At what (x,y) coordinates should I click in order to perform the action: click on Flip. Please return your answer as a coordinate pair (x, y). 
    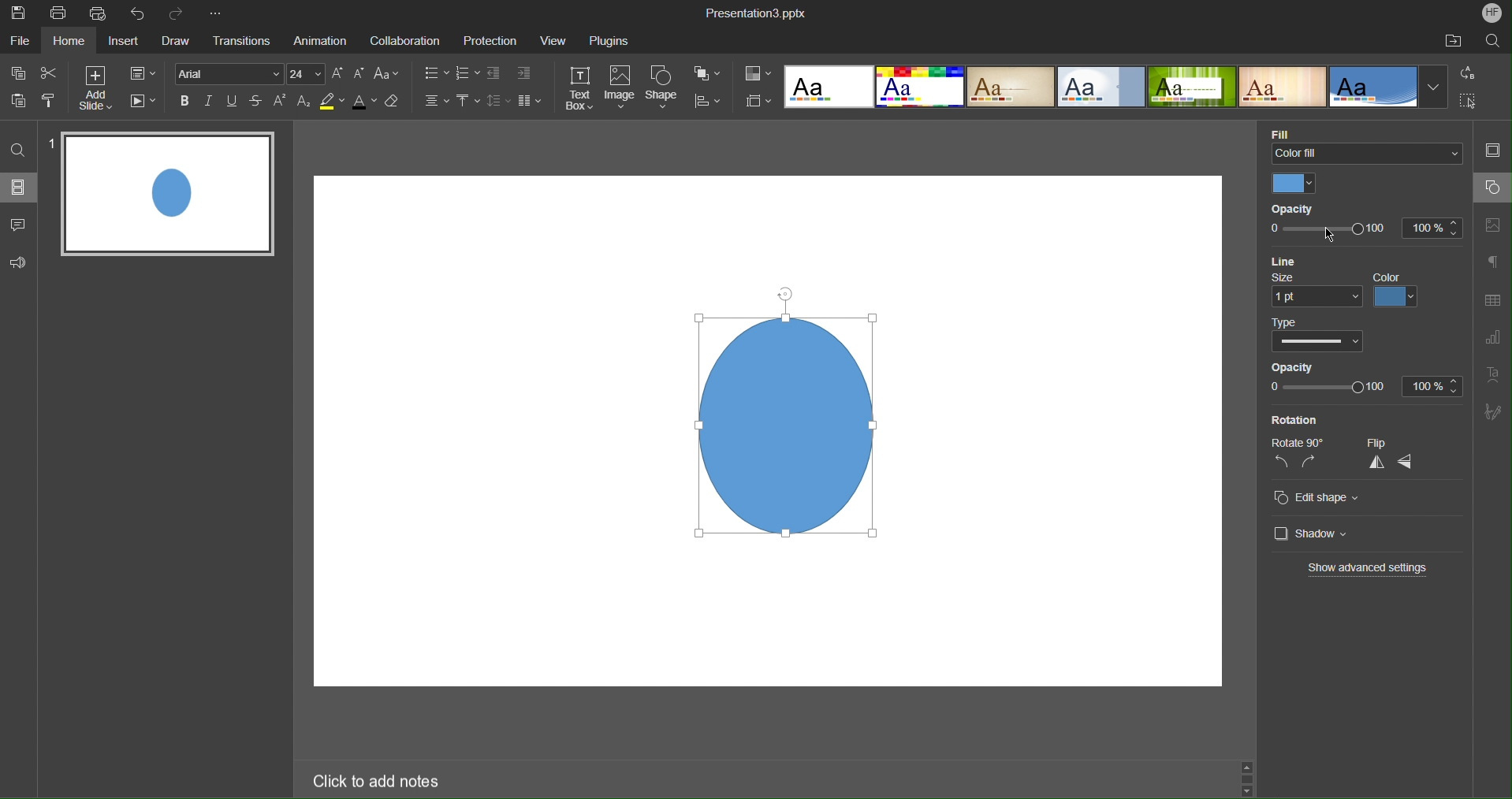
    Looking at the image, I should click on (1376, 441).